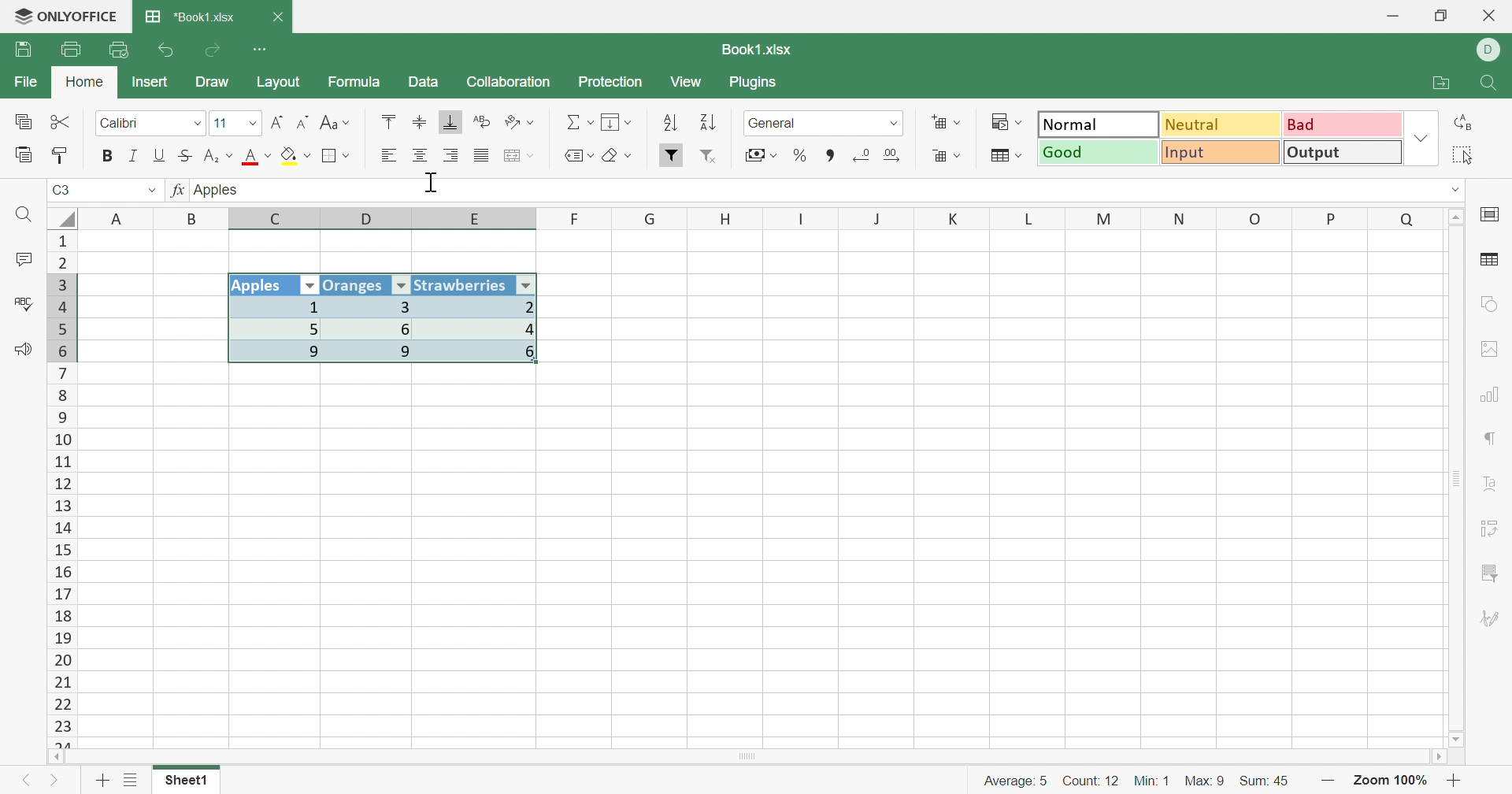  What do you see at coordinates (1490, 570) in the screenshot?
I see `slicer settings` at bounding box center [1490, 570].